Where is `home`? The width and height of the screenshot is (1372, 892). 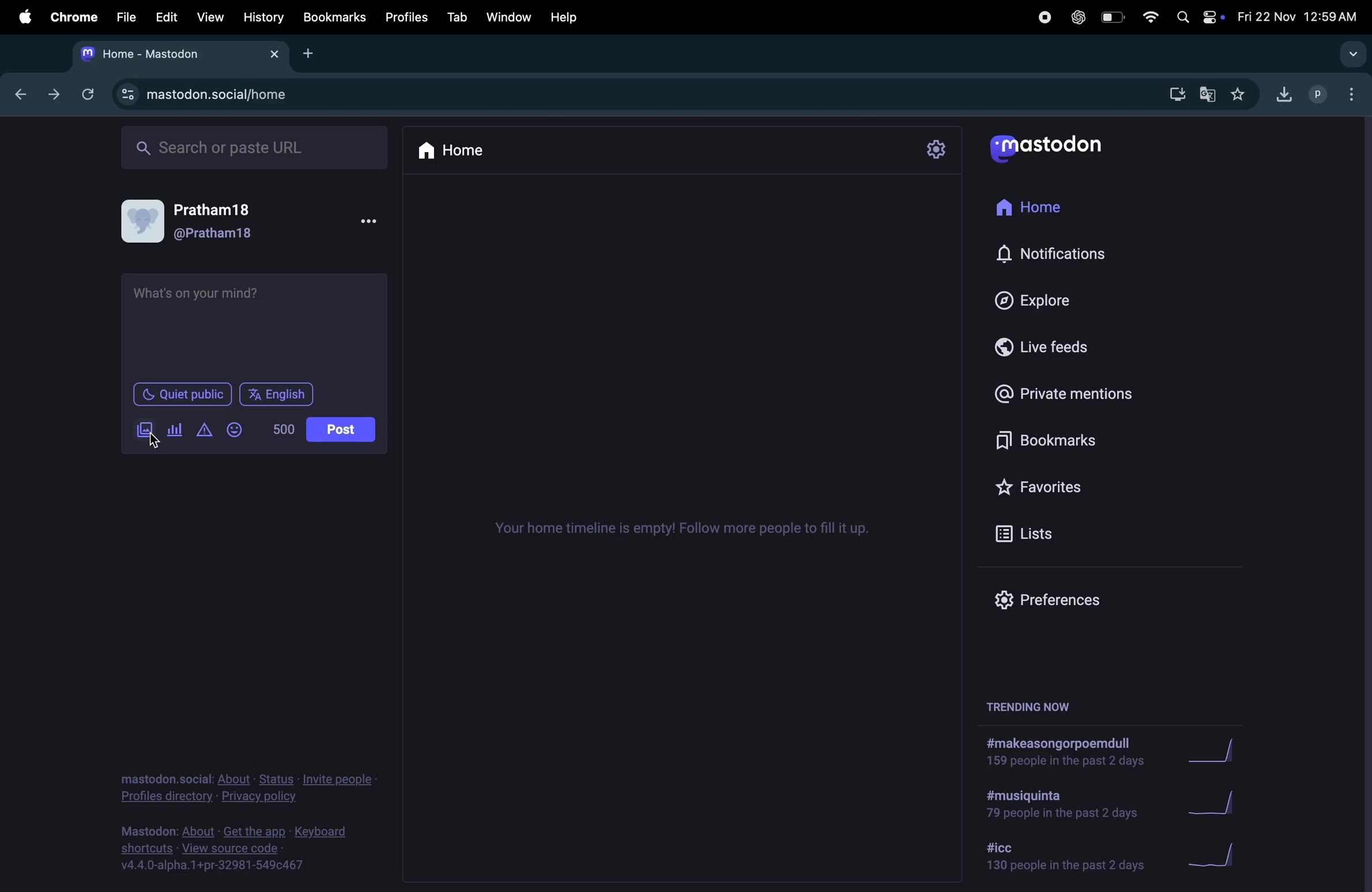
home is located at coordinates (1053, 211).